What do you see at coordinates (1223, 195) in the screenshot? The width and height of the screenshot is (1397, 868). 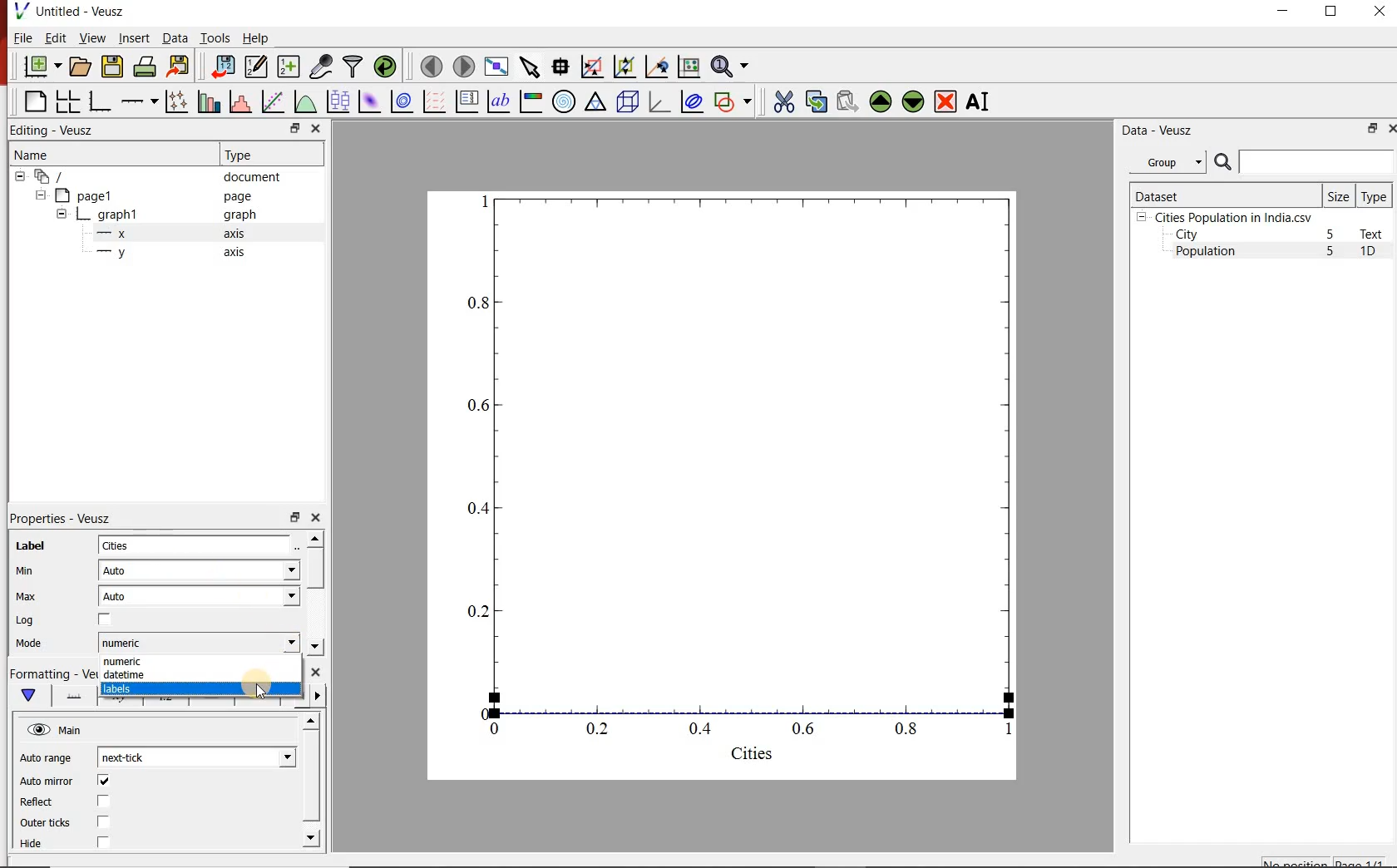 I see `Dataset` at bounding box center [1223, 195].